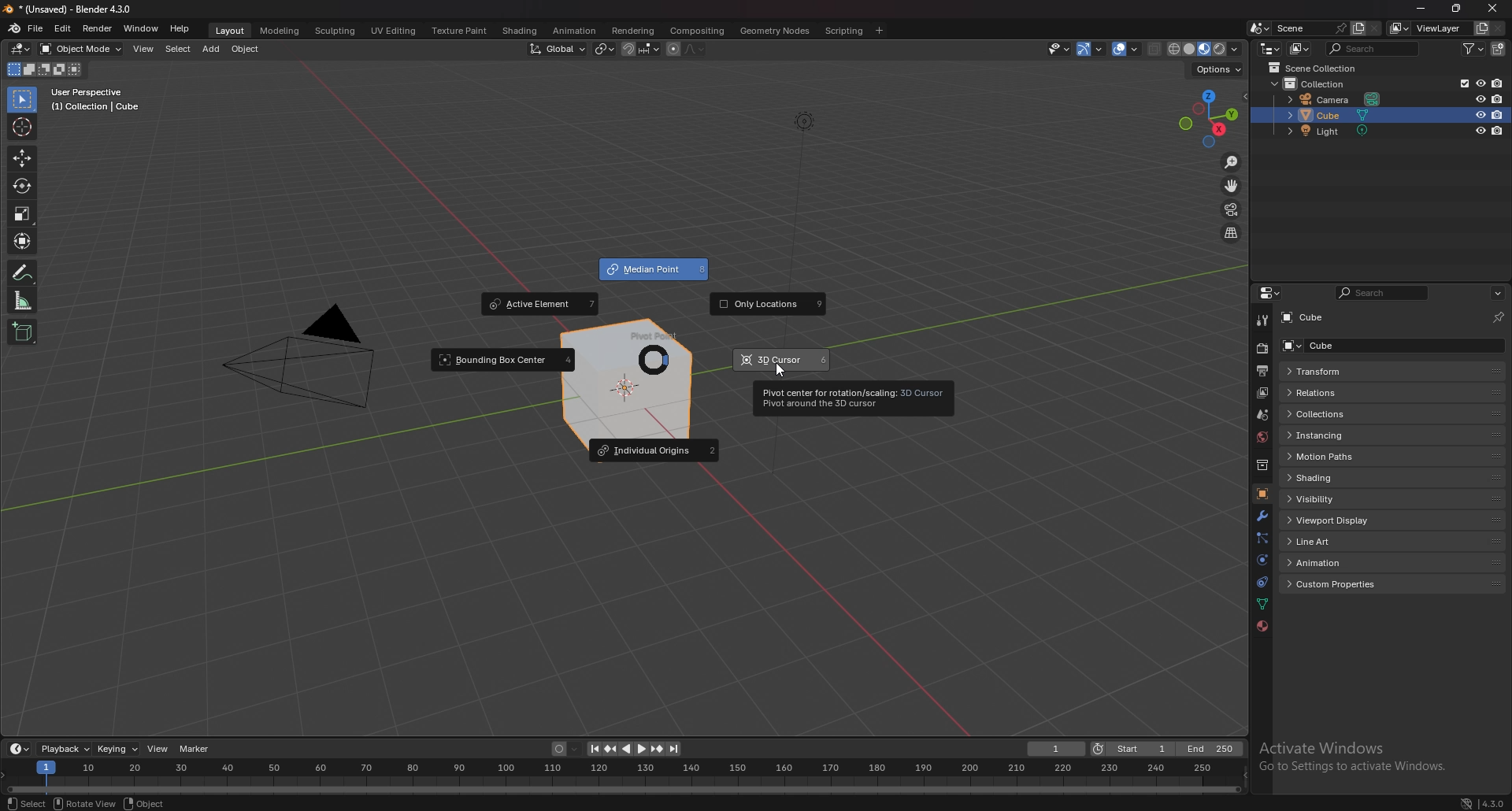 The width and height of the screenshot is (1512, 811). What do you see at coordinates (566, 749) in the screenshot?
I see `auto keying` at bounding box center [566, 749].